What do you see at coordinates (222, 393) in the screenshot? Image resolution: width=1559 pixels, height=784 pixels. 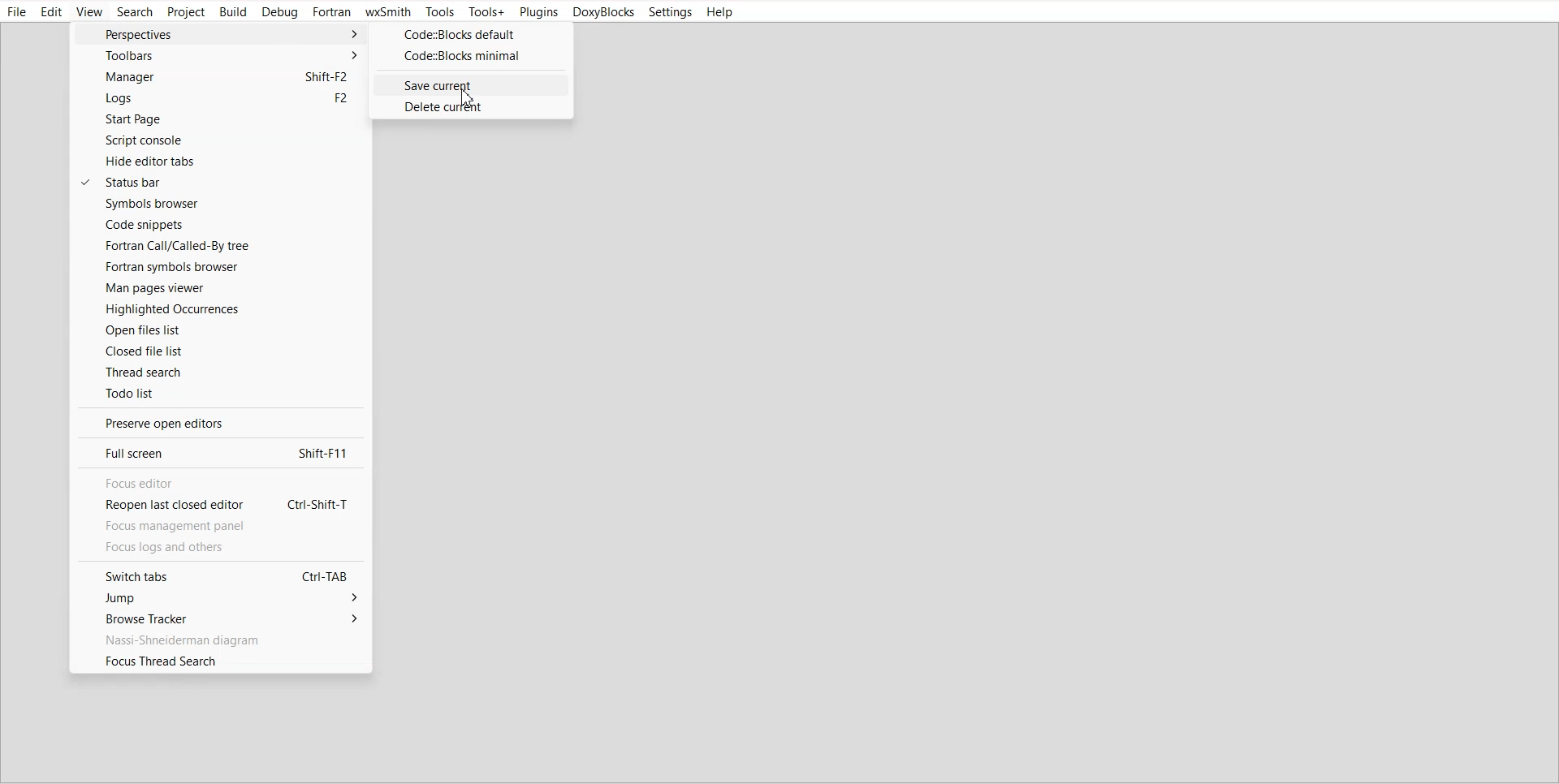 I see `Todo list` at bounding box center [222, 393].